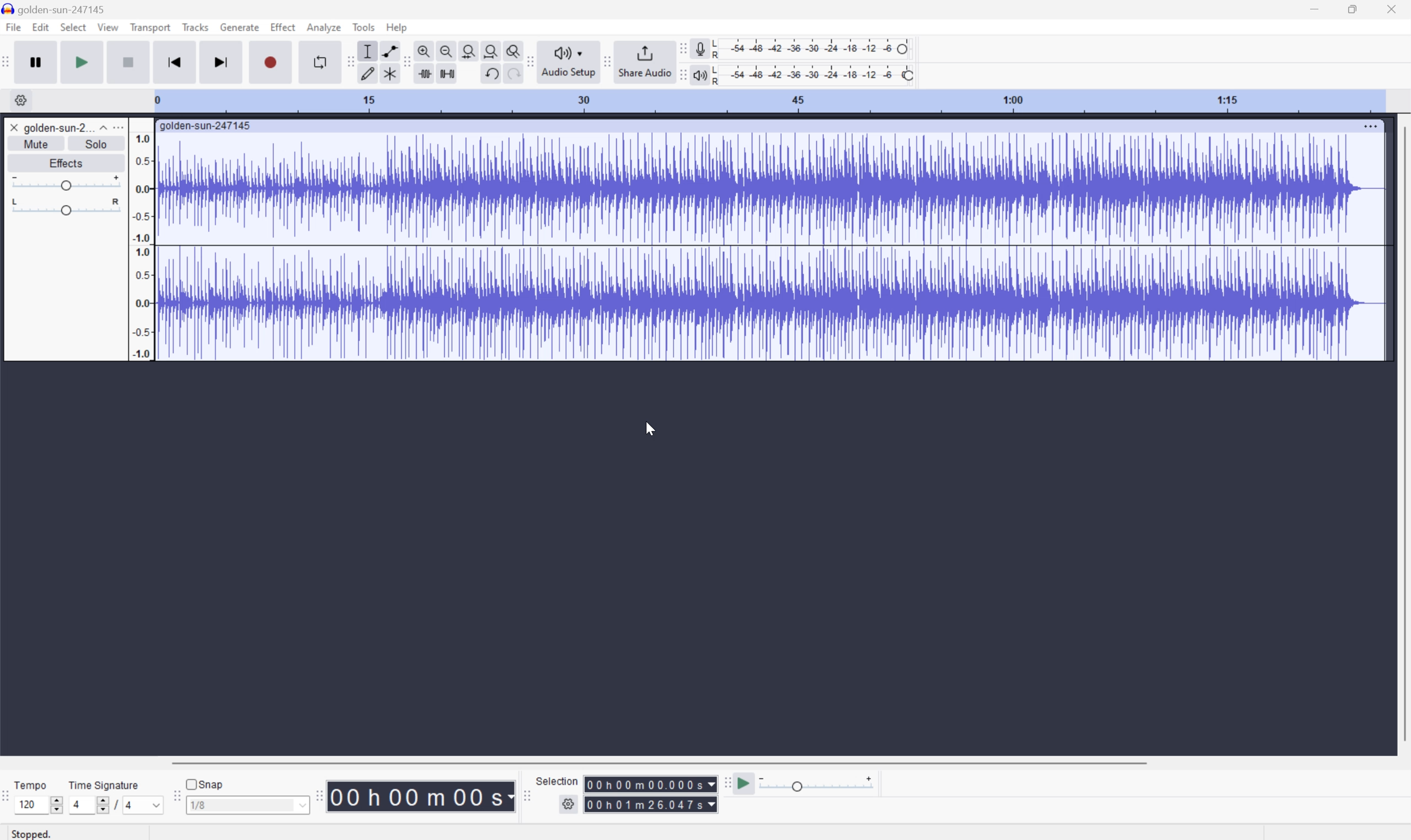 The height and width of the screenshot is (840, 1411). I want to click on Audacity transport toolbar, so click(9, 60).